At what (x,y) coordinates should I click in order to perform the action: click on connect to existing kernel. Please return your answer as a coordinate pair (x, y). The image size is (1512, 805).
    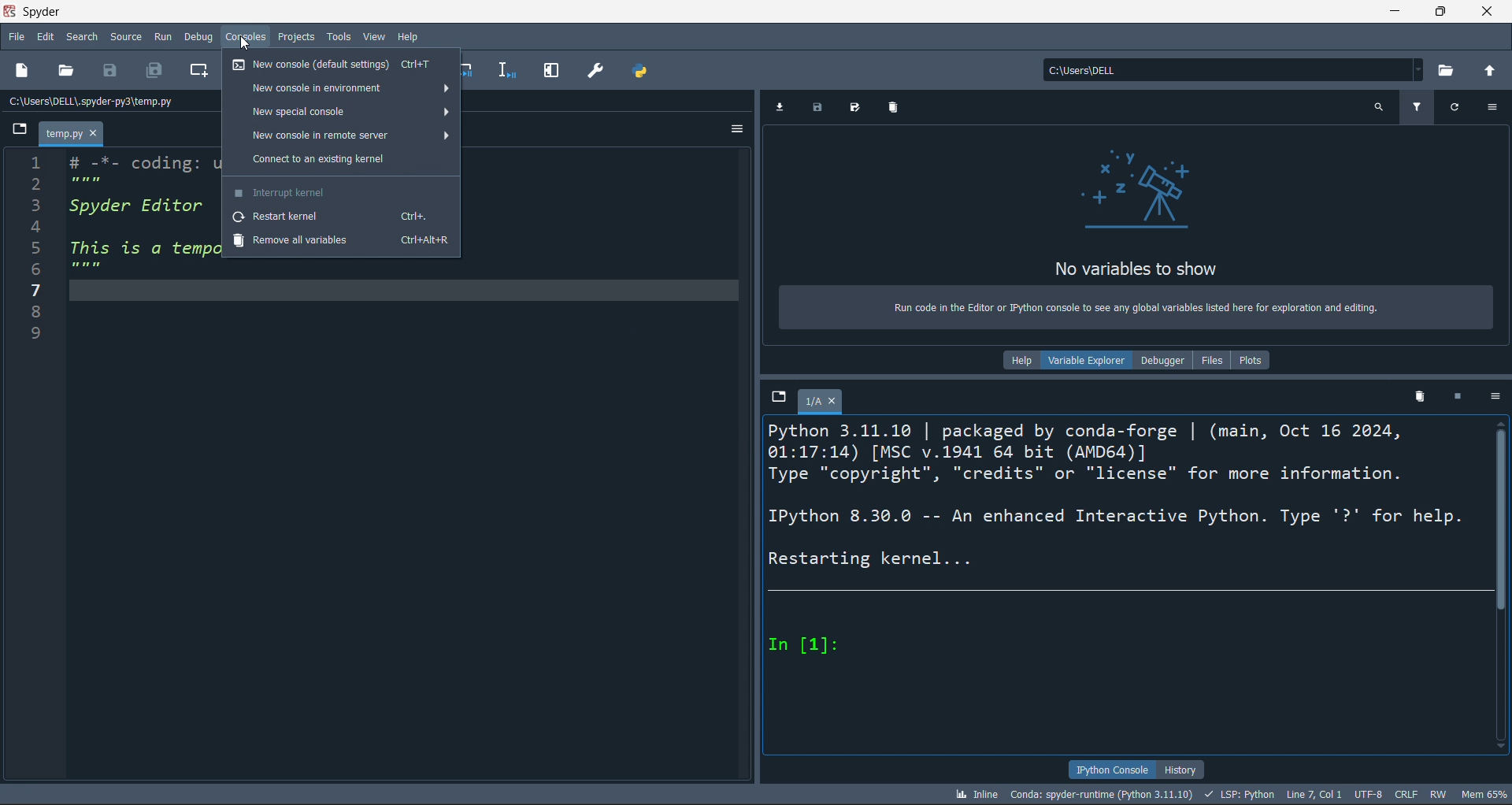
    Looking at the image, I should click on (341, 160).